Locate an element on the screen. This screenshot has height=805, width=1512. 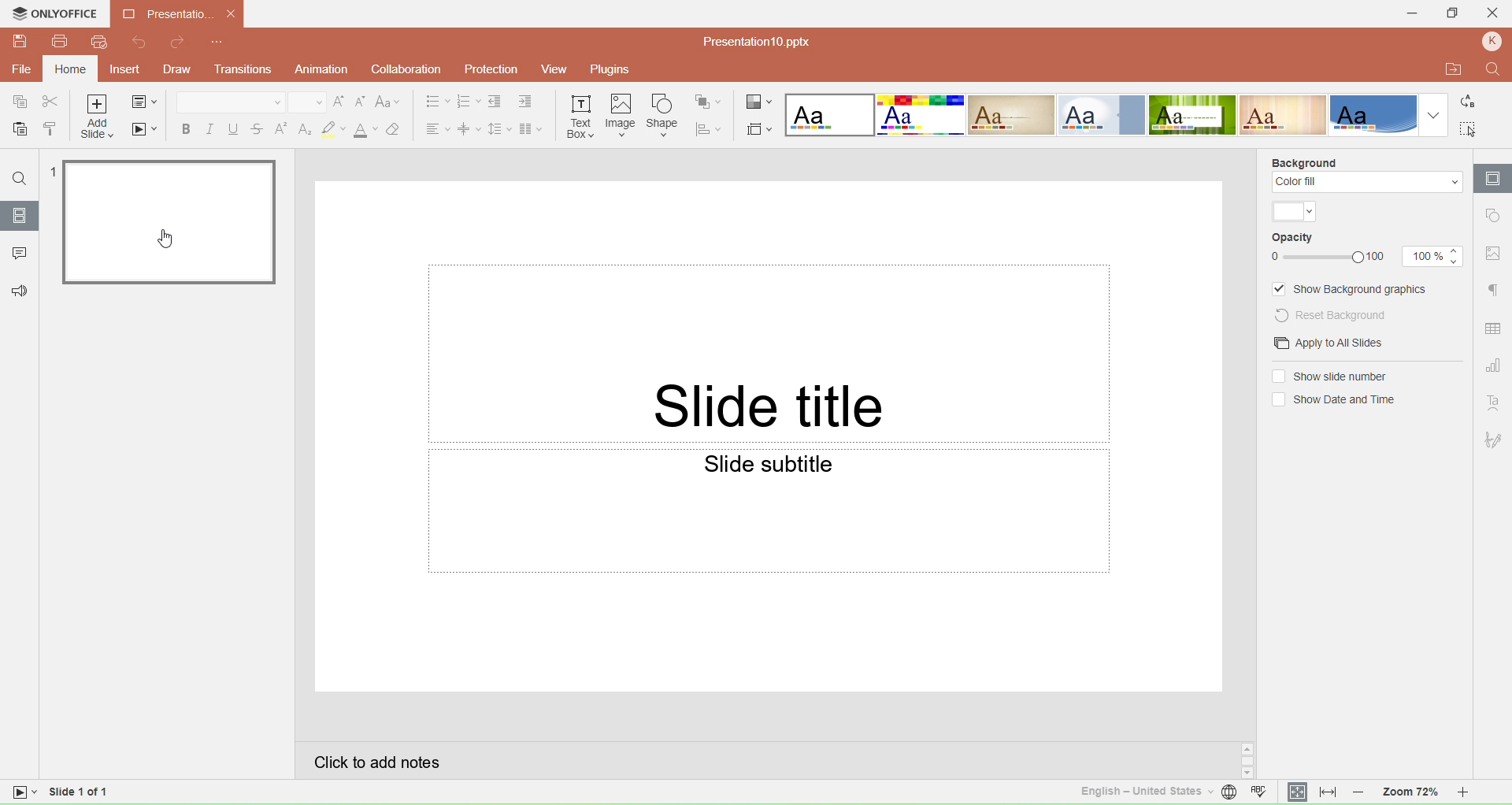
Insert shape is located at coordinates (662, 115).